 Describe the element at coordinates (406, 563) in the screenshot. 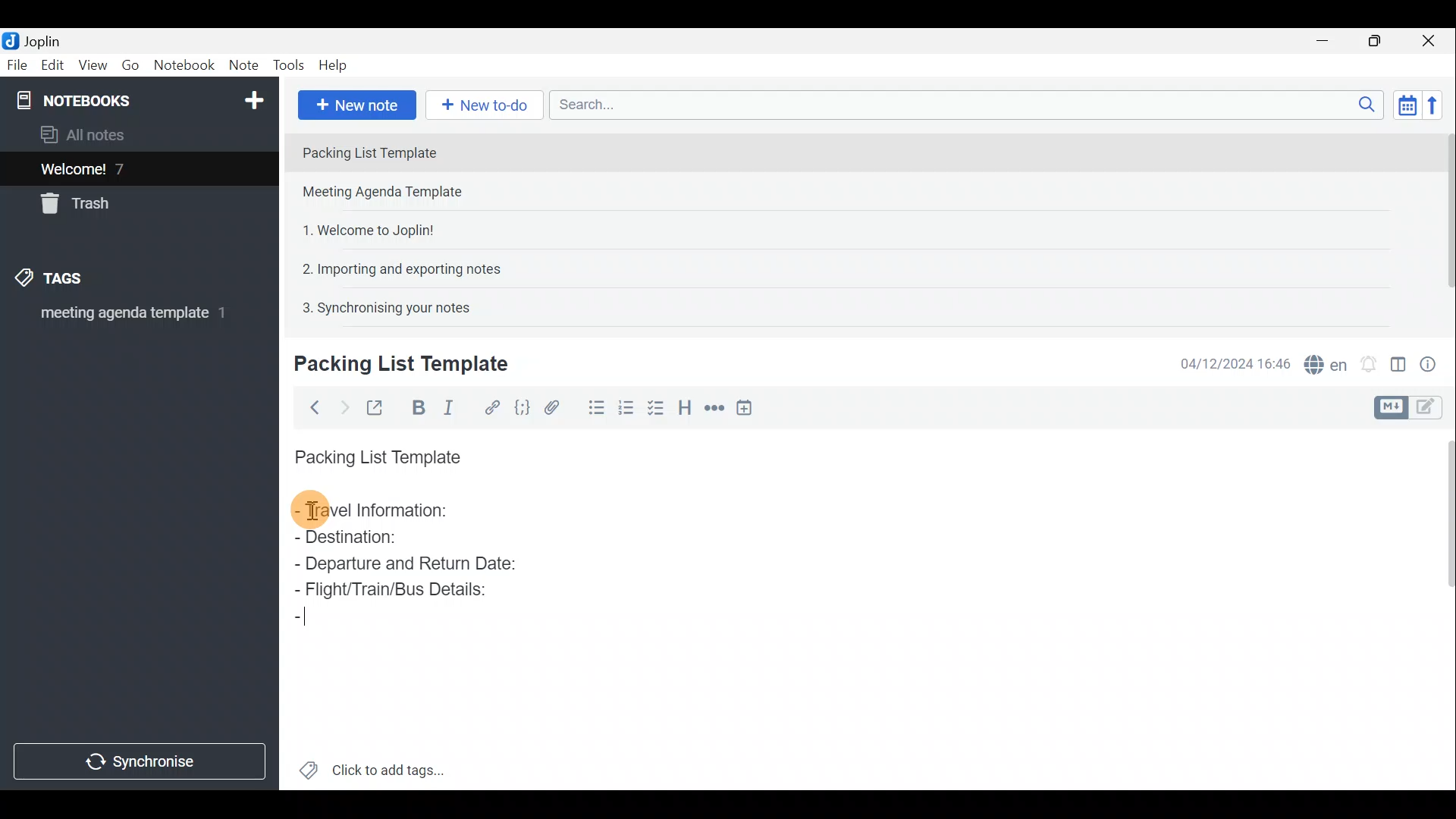

I see `Departure and Return Date:` at that location.